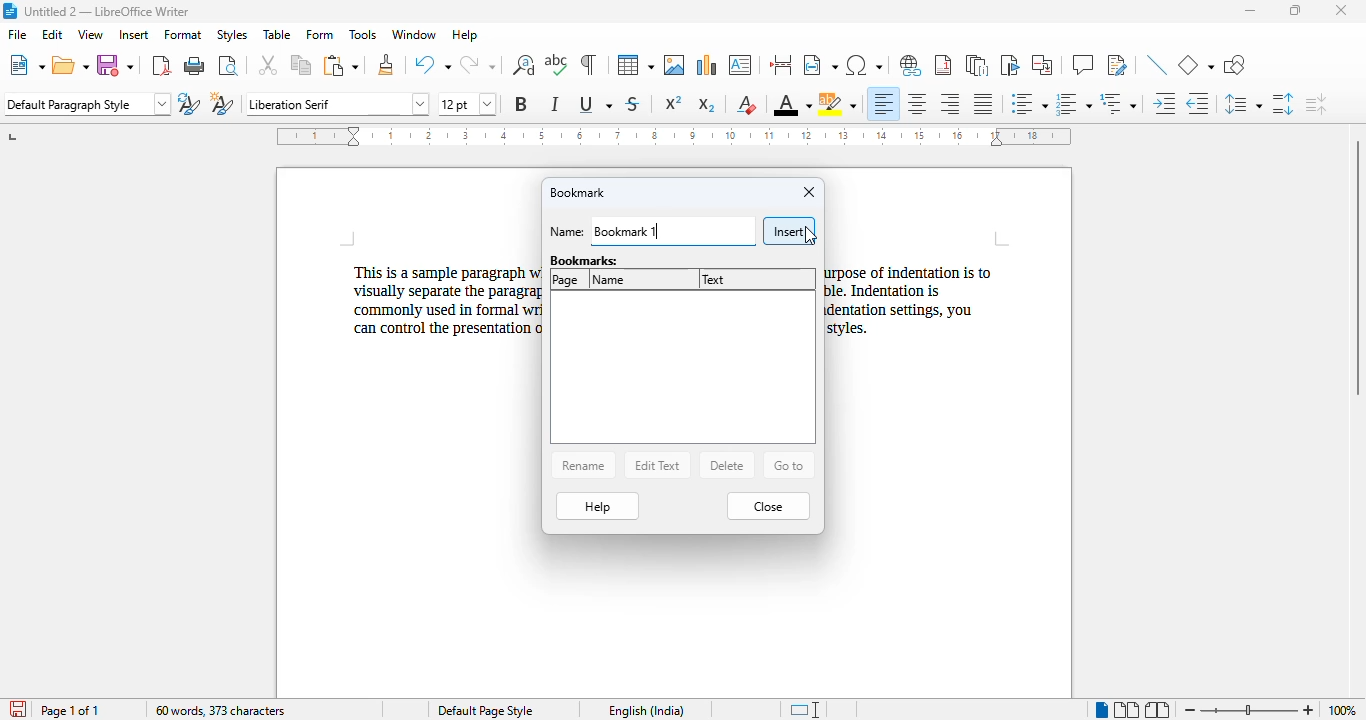  I want to click on cut, so click(267, 65).